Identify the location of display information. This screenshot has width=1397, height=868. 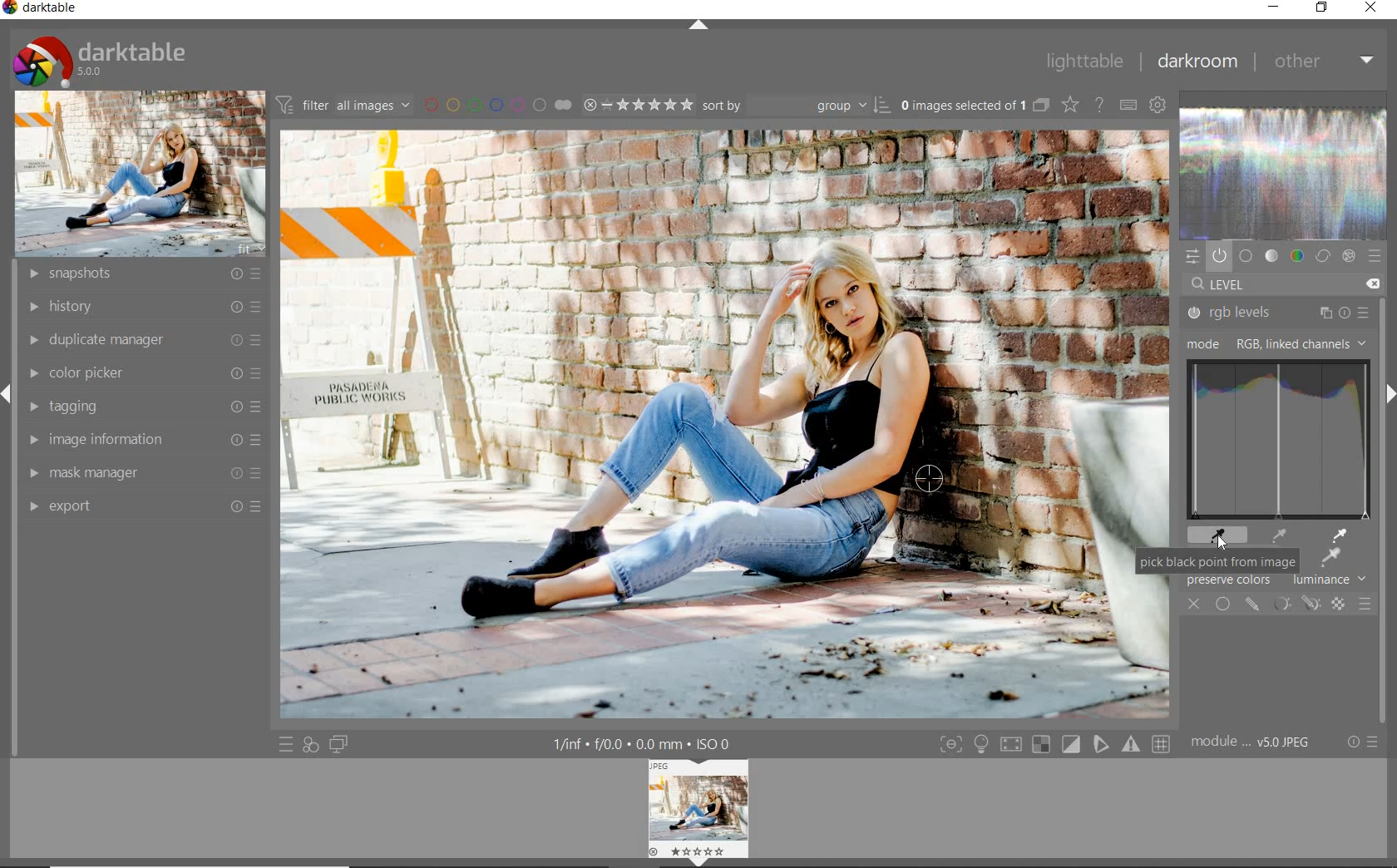
(655, 744).